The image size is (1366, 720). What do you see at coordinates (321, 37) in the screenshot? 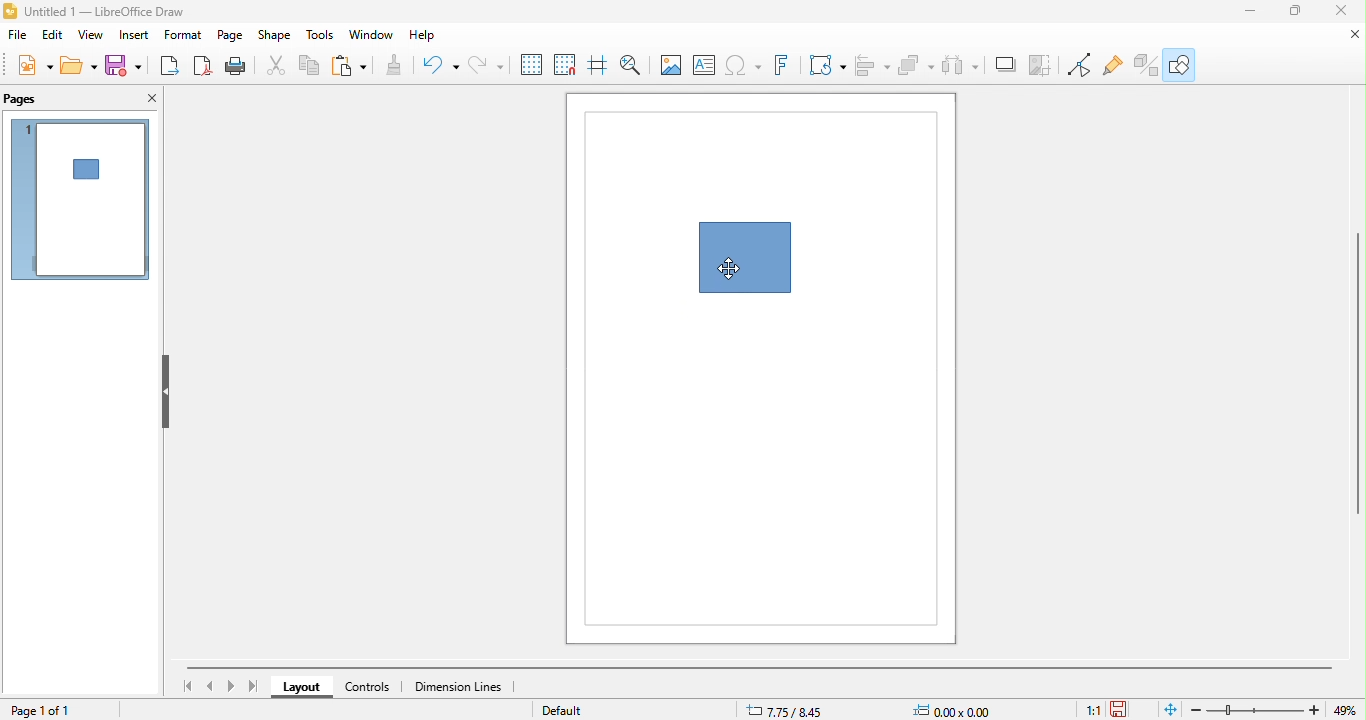
I see `tools` at bounding box center [321, 37].